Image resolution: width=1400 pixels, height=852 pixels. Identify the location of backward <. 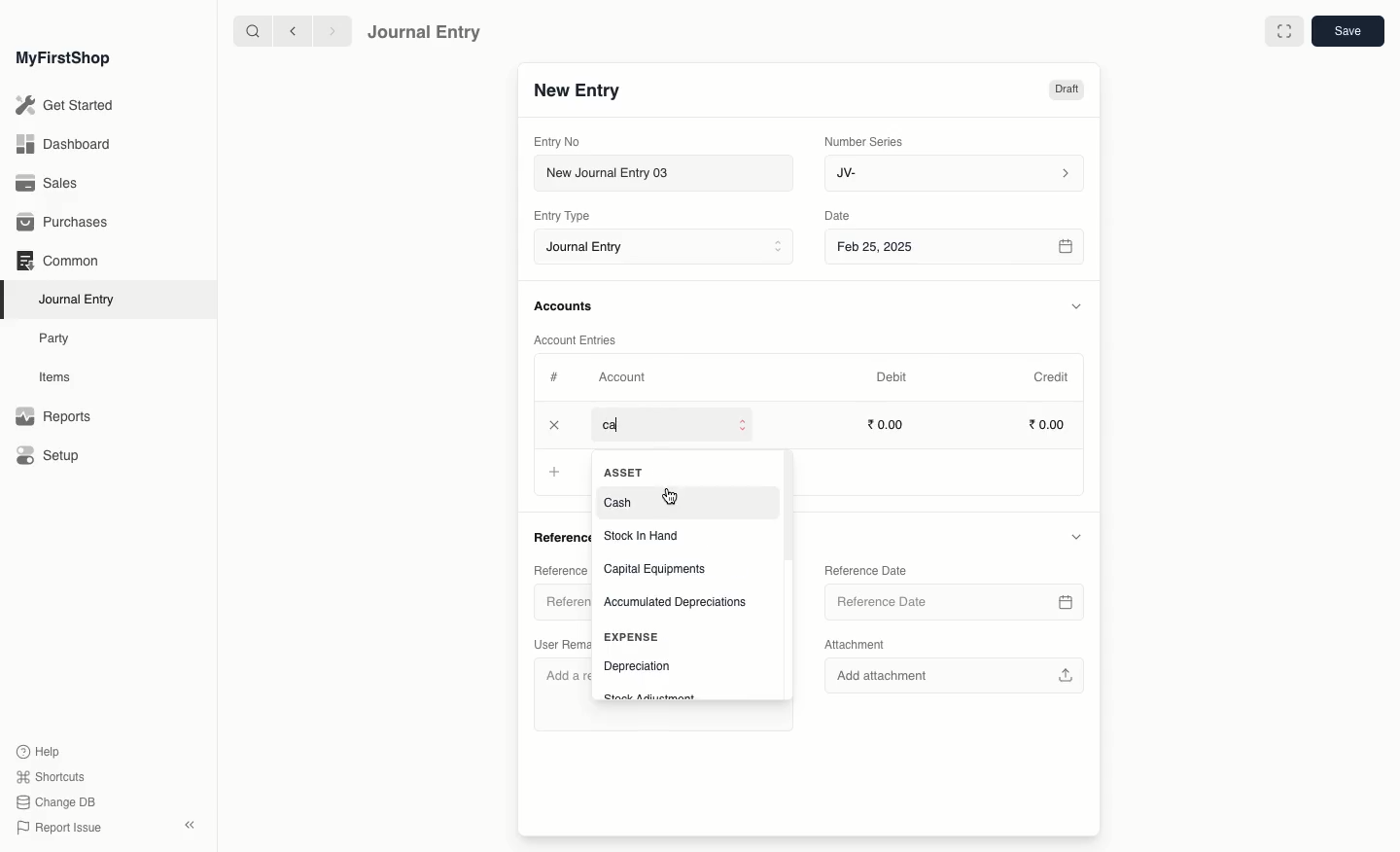
(288, 31).